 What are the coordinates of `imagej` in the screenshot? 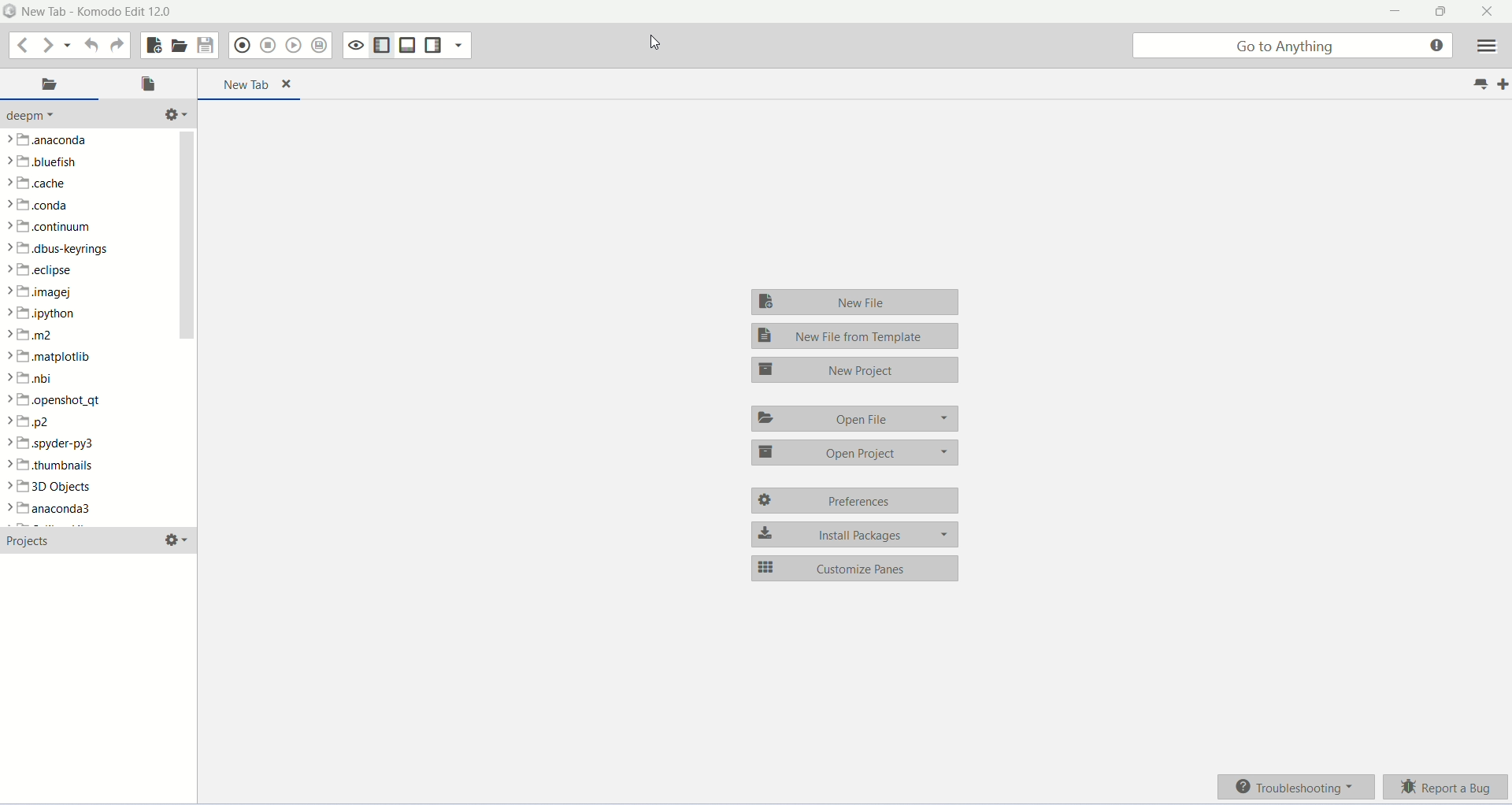 It's located at (41, 293).